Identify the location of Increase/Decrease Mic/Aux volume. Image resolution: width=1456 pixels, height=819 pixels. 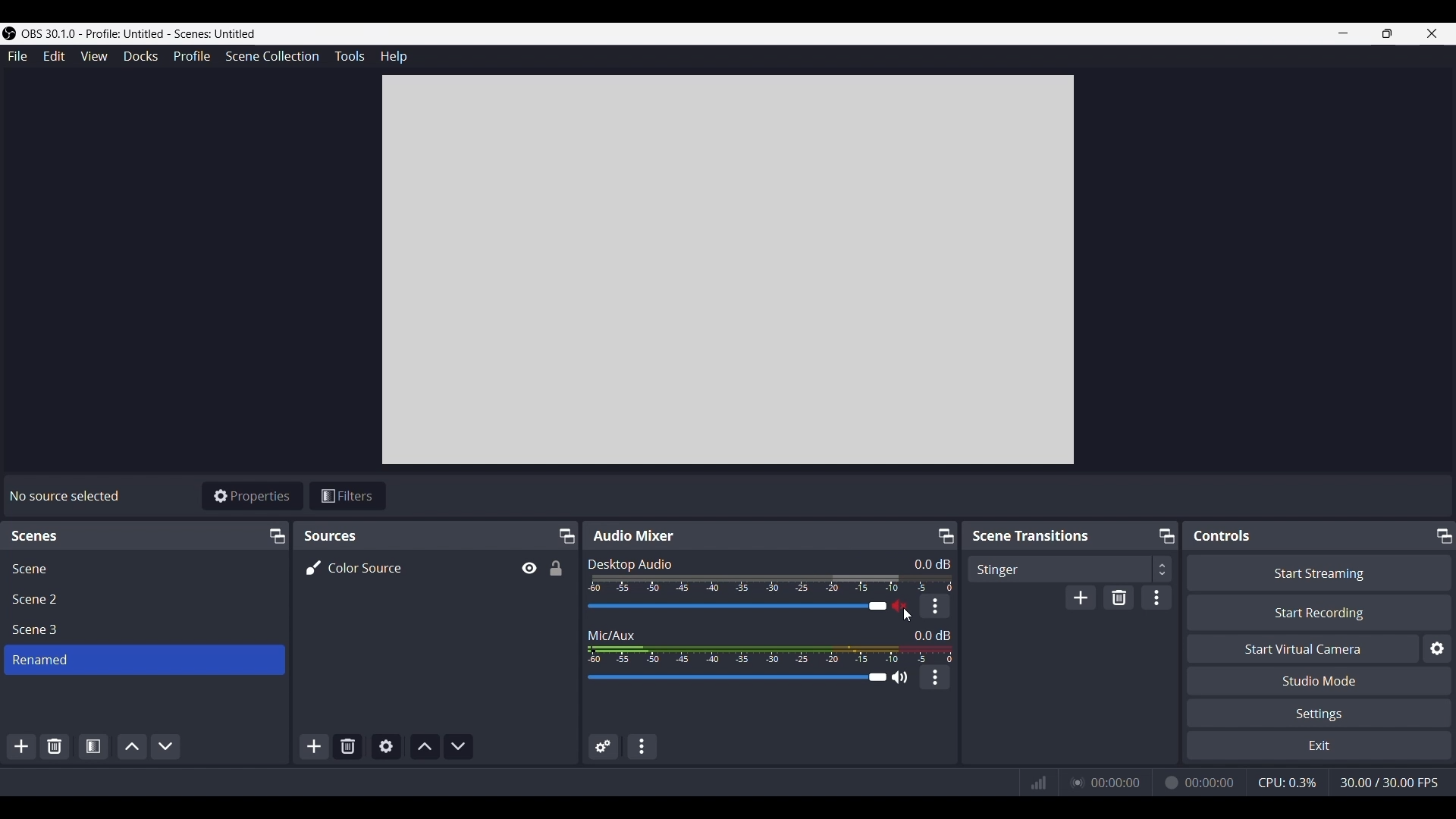
(735, 676).